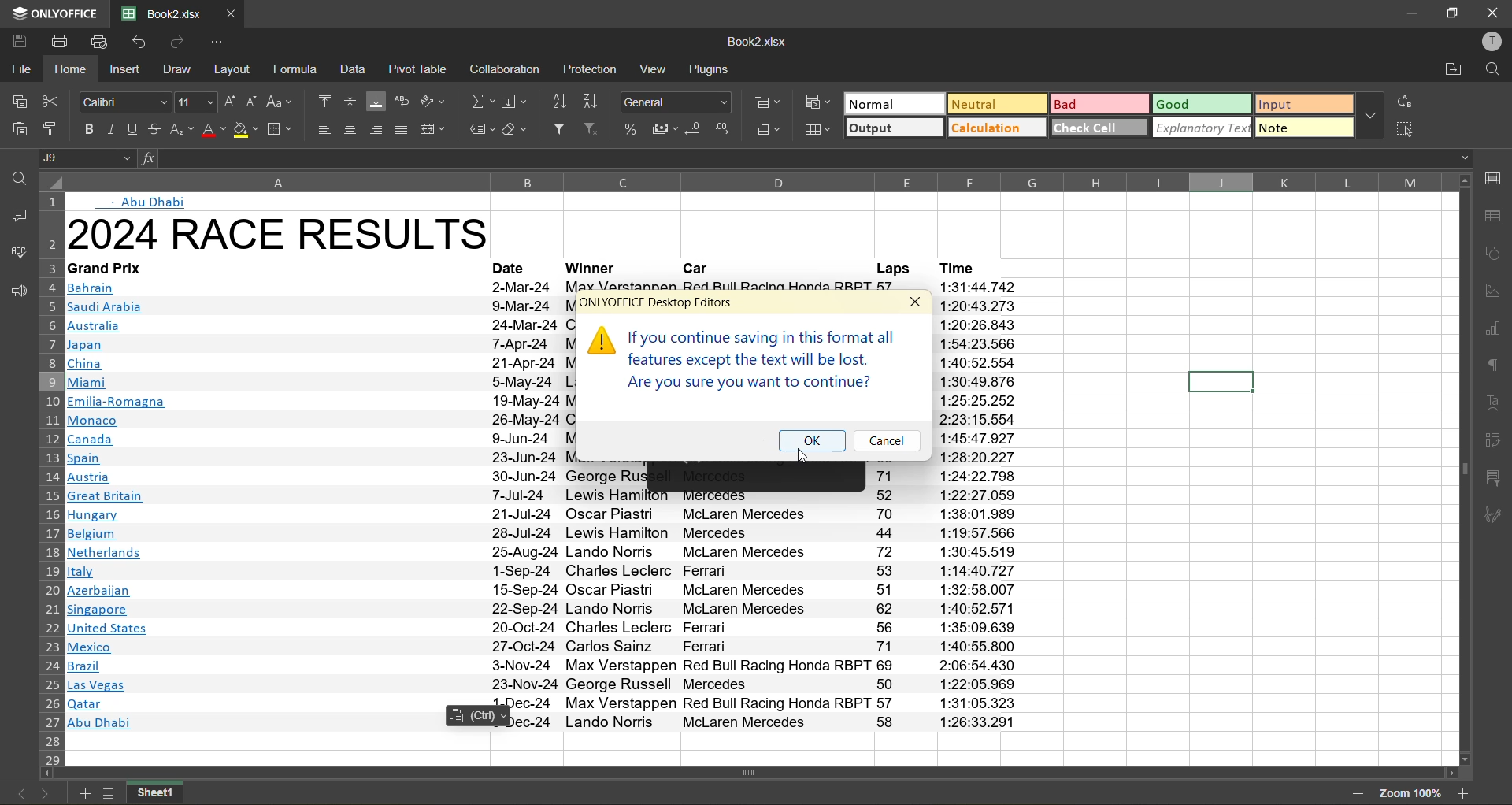  I want to click on list of sheets, so click(107, 794).